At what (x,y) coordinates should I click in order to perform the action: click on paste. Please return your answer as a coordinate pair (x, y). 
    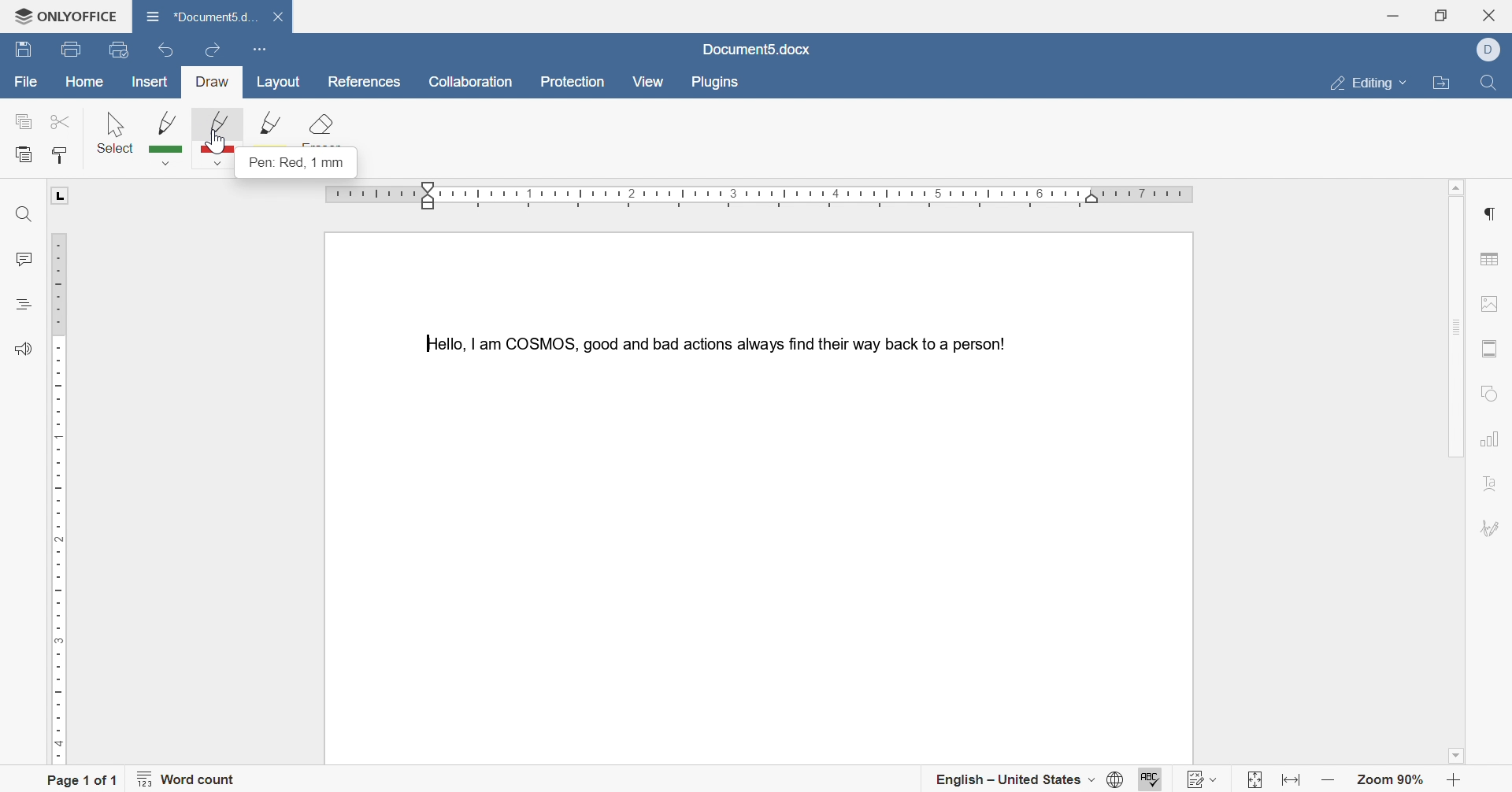
    Looking at the image, I should click on (24, 155).